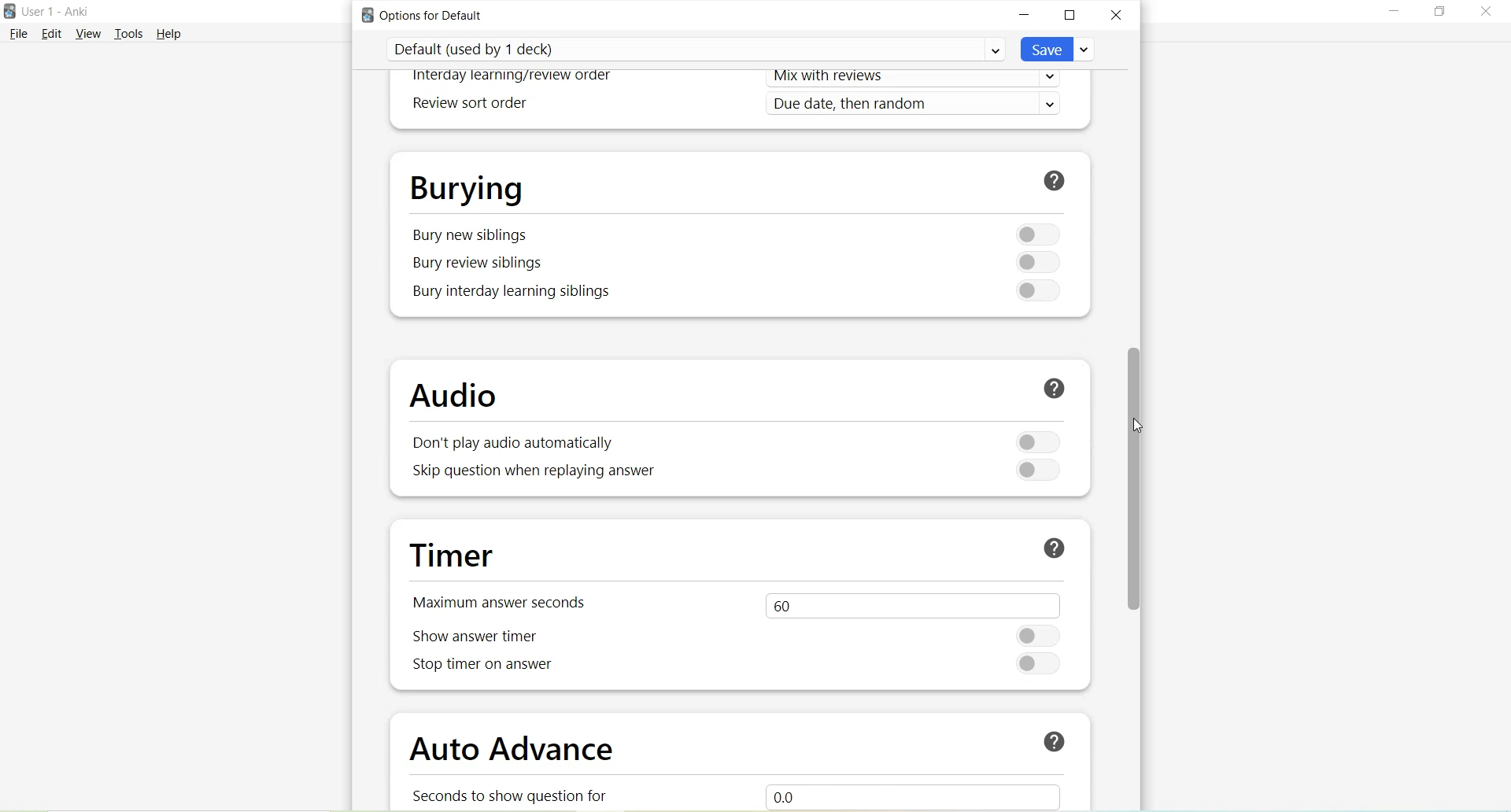 The width and height of the screenshot is (1511, 812). I want to click on 0.0, so click(929, 794).